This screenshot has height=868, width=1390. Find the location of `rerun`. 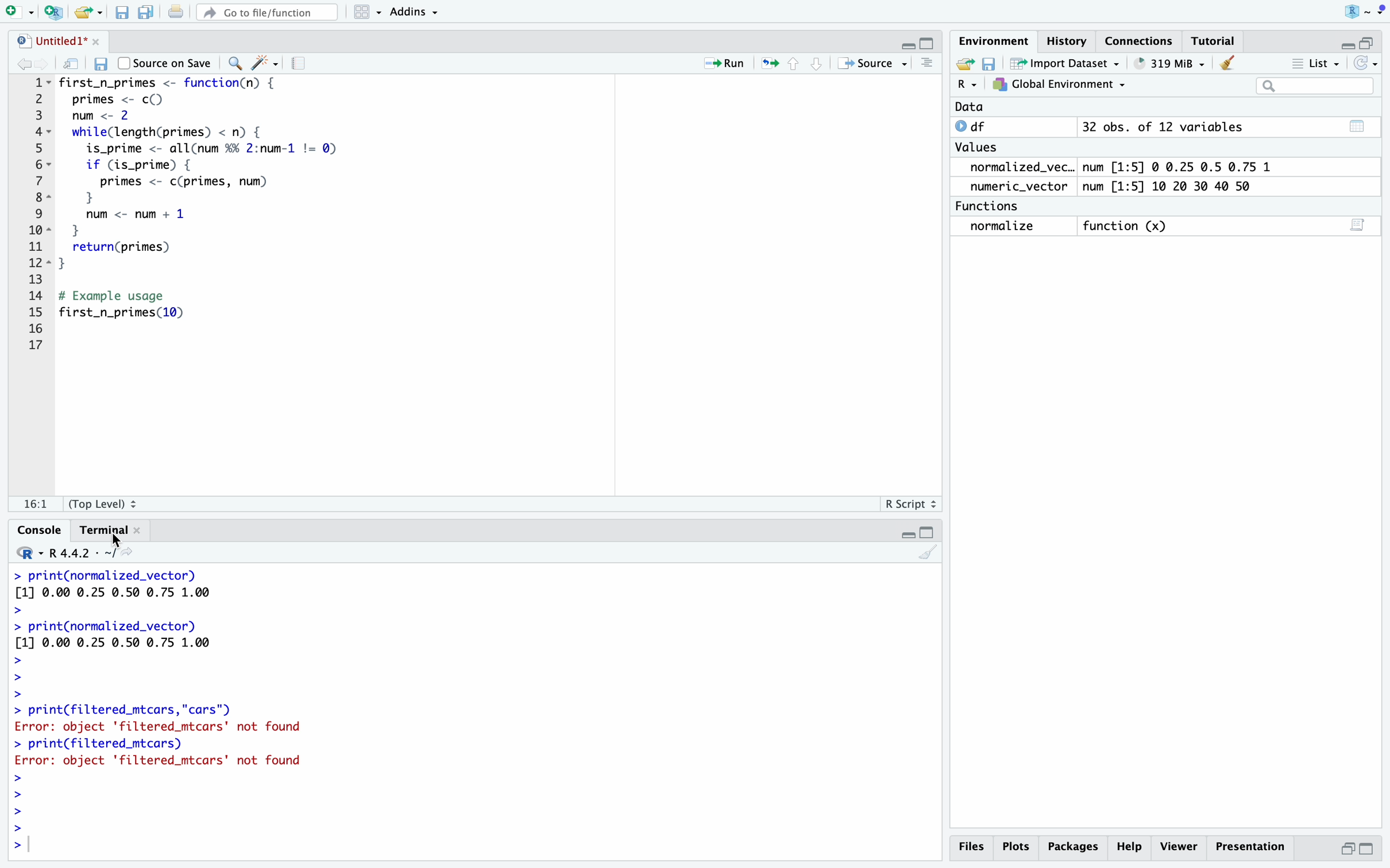

rerun is located at coordinates (771, 64).